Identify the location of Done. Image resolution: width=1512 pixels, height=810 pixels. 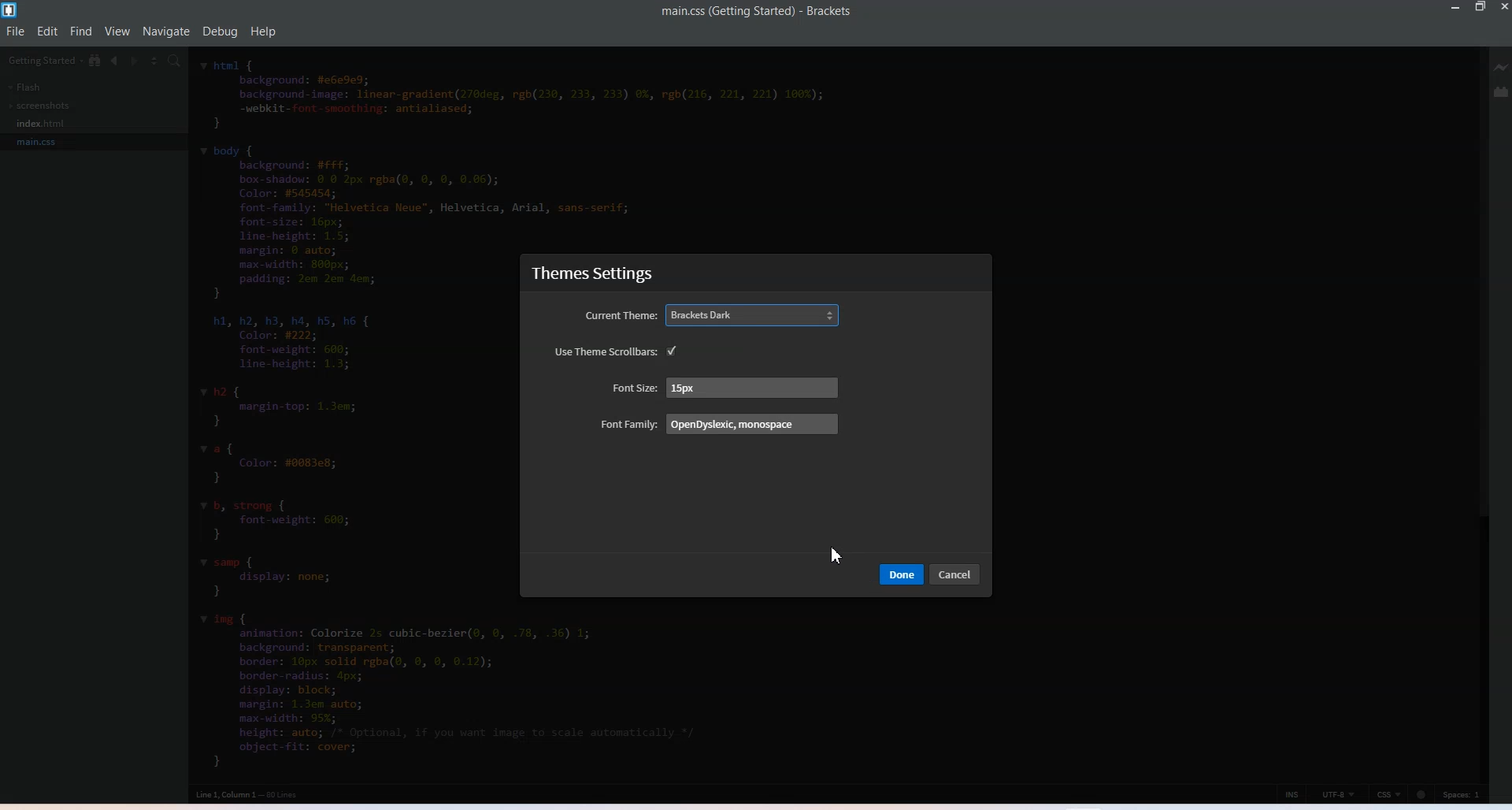
(902, 574).